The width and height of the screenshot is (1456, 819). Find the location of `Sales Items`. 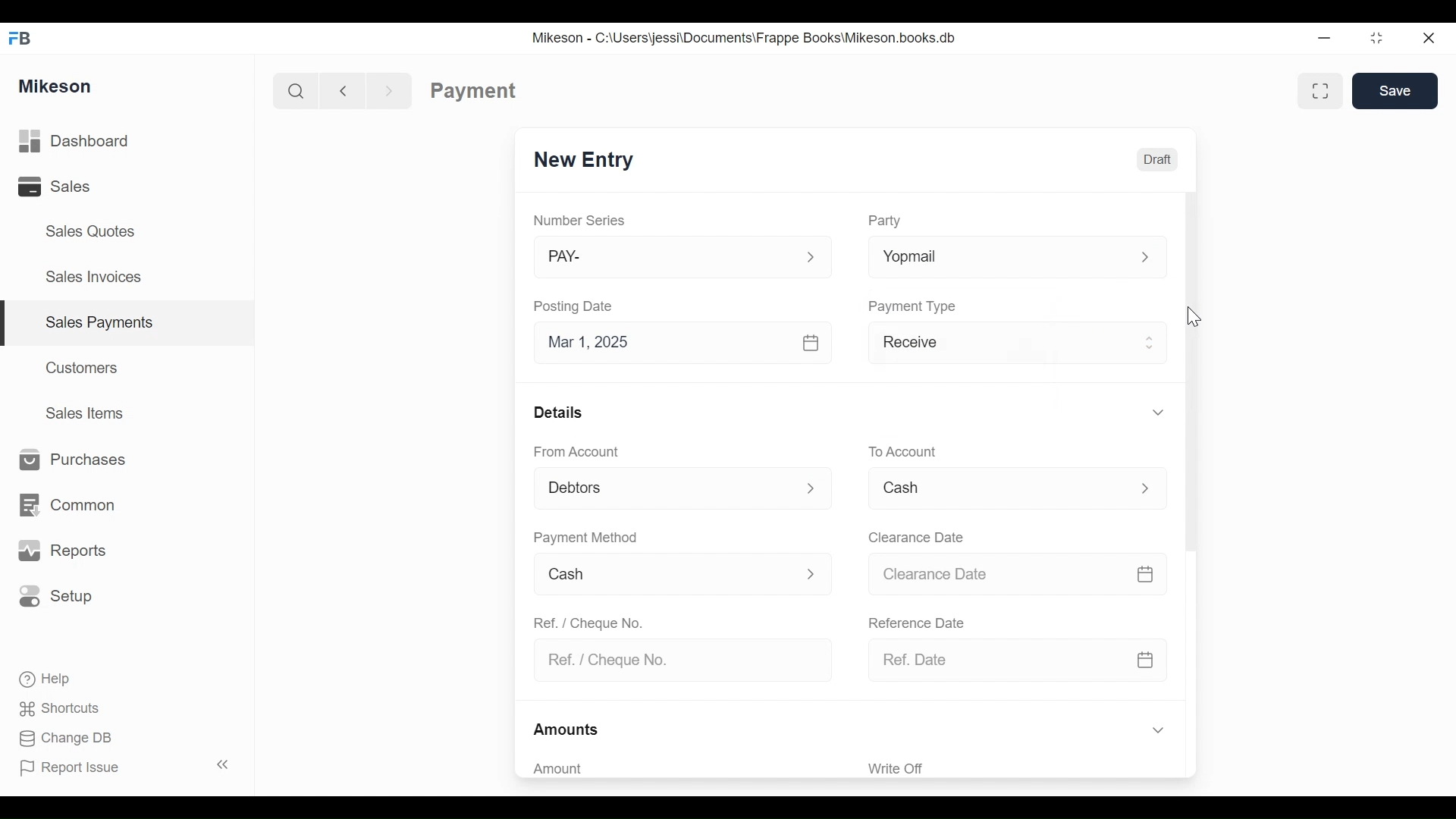

Sales Items is located at coordinates (92, 414).